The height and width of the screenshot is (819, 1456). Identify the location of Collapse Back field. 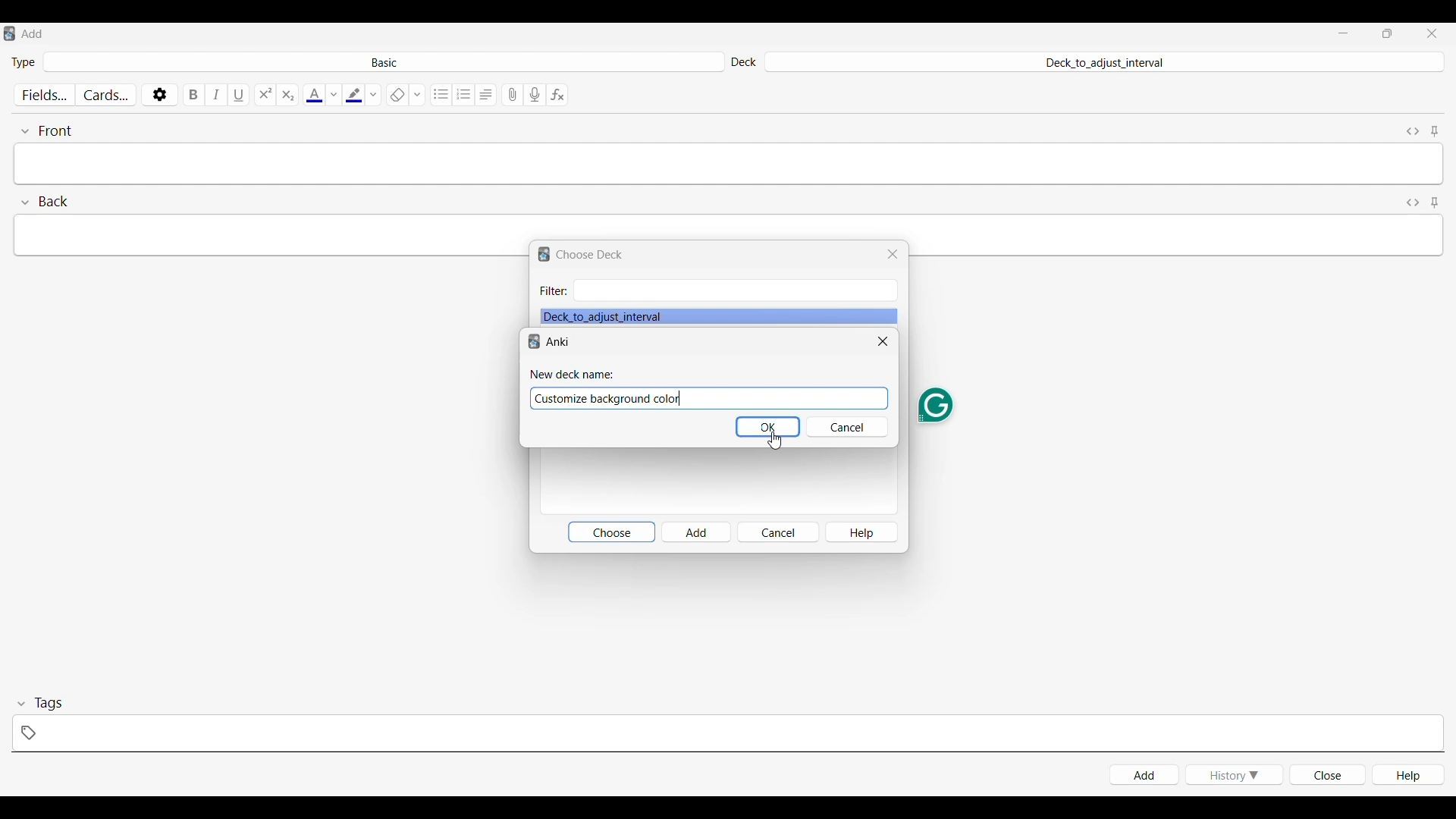
(45, 202).